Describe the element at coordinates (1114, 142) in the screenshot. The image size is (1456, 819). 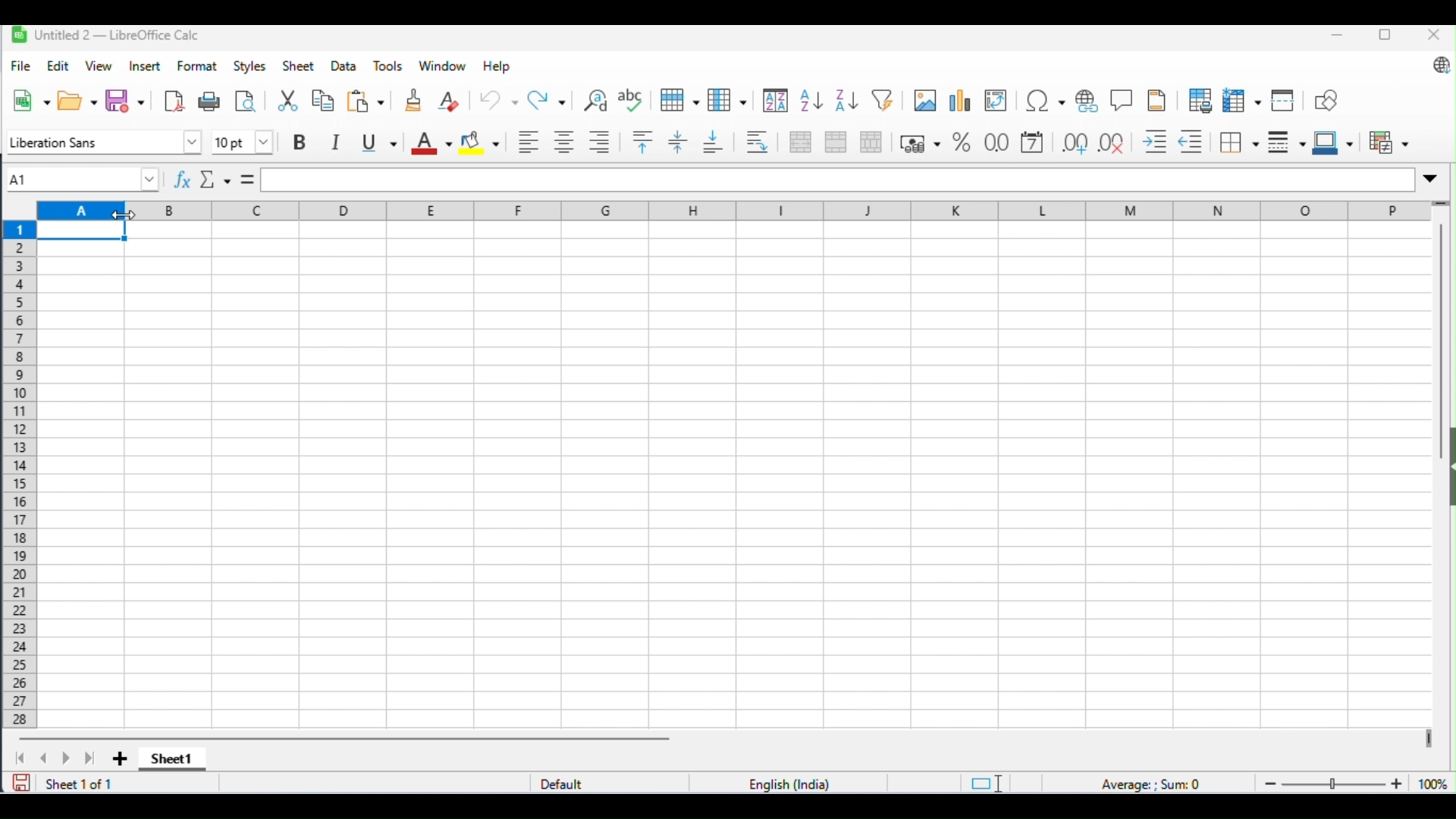
I see `remove decimal place` at that location.